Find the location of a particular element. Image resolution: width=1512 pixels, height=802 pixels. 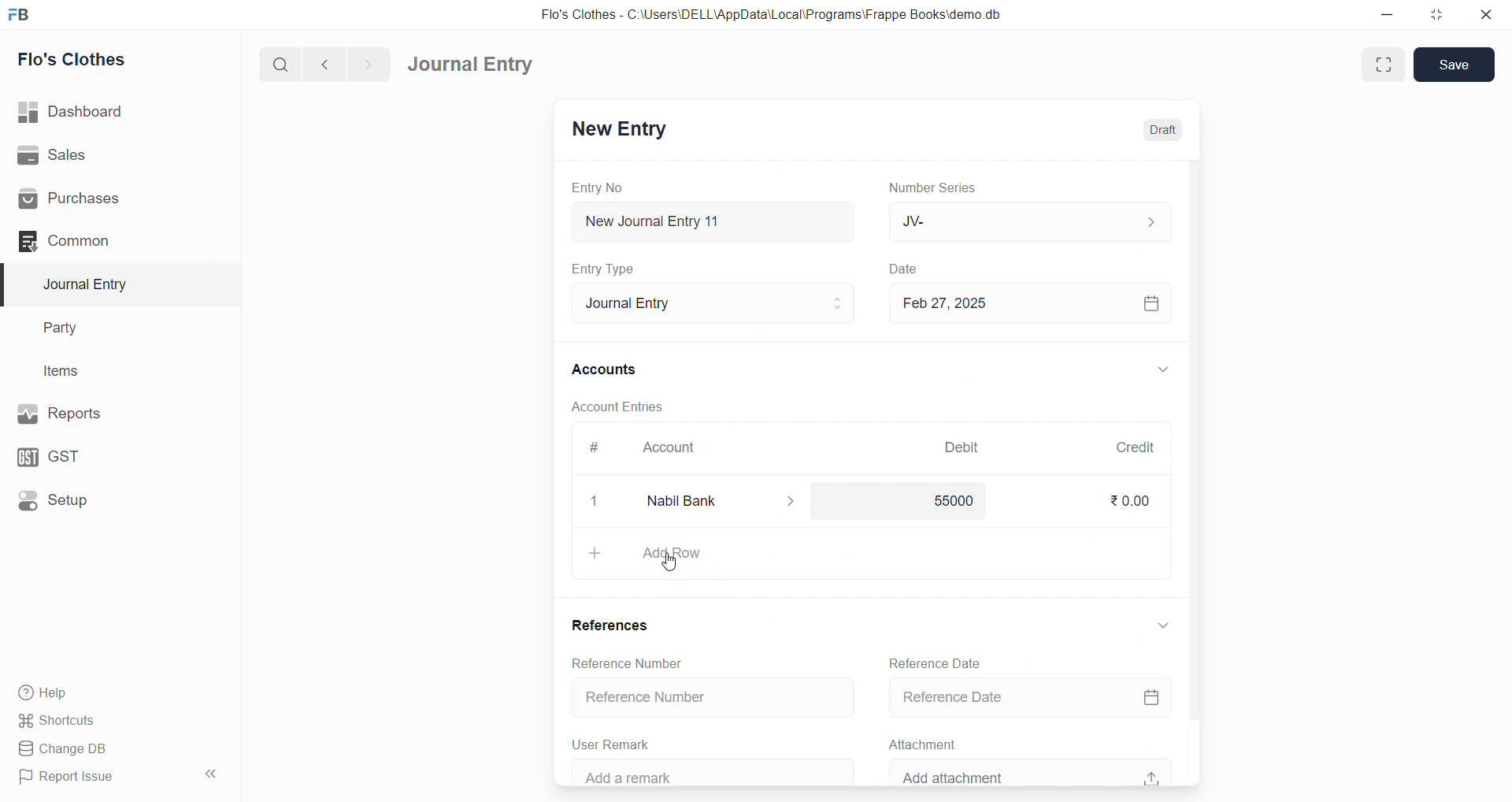

Purchases is located at coordinates (95, 200).